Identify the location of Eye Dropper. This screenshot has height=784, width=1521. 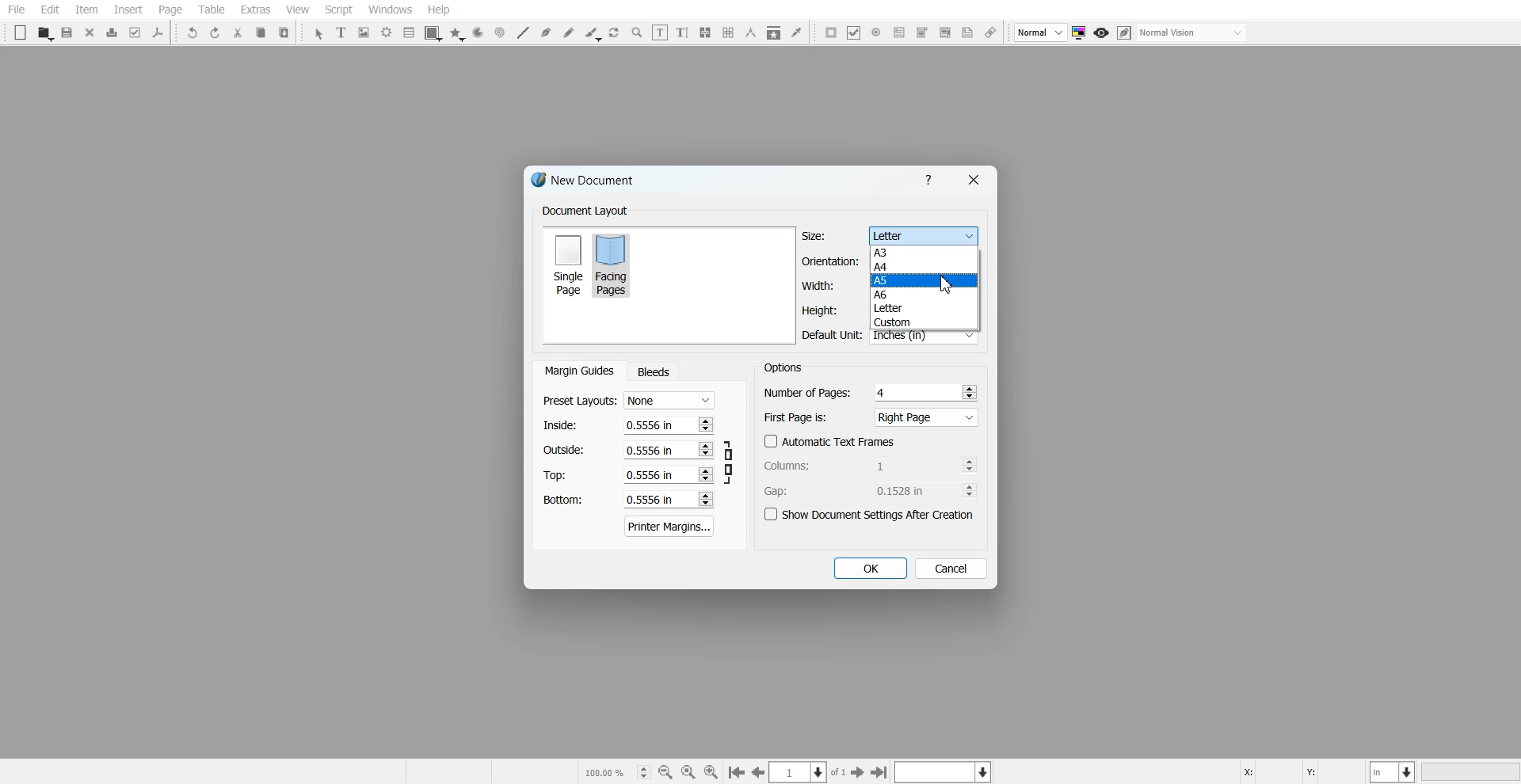
(796, 32).